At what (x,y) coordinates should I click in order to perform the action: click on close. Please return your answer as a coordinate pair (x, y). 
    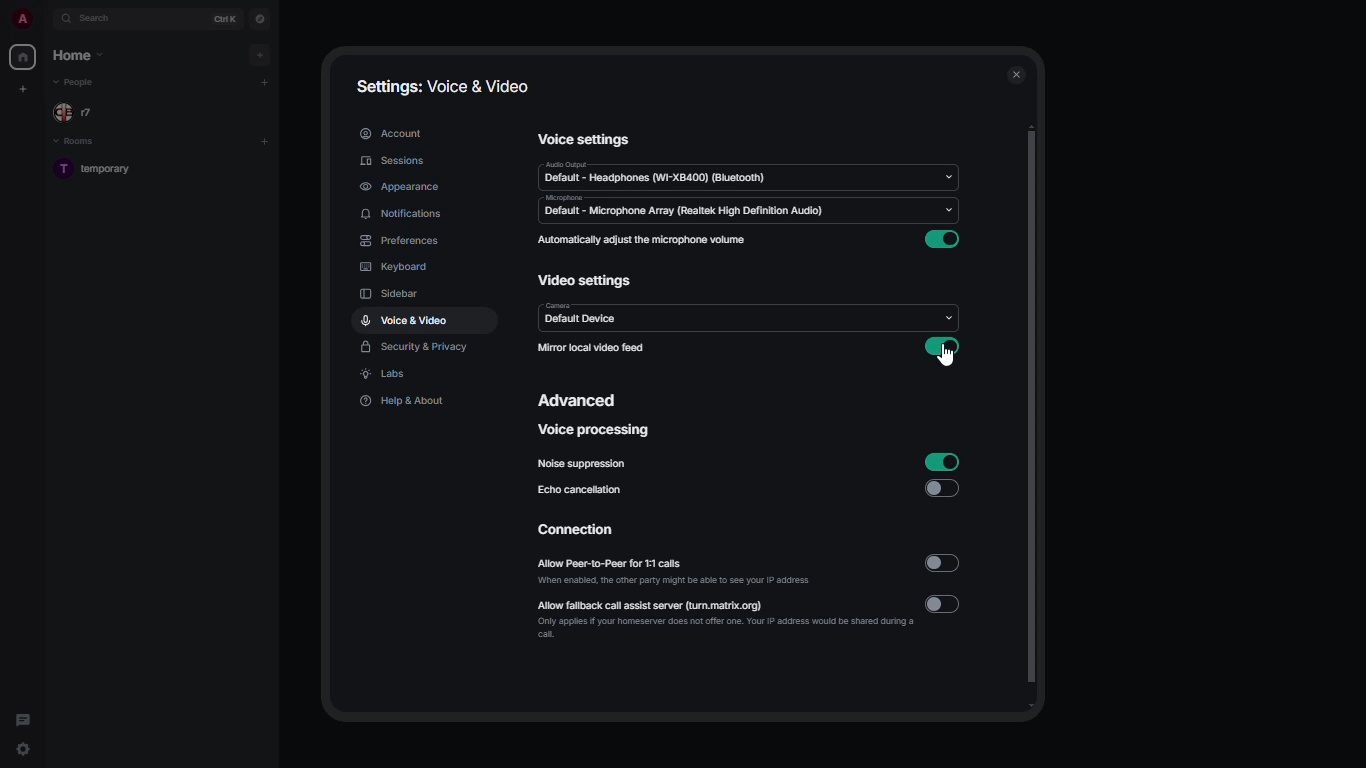
    Looking at the image, I should click on (1017, 75).